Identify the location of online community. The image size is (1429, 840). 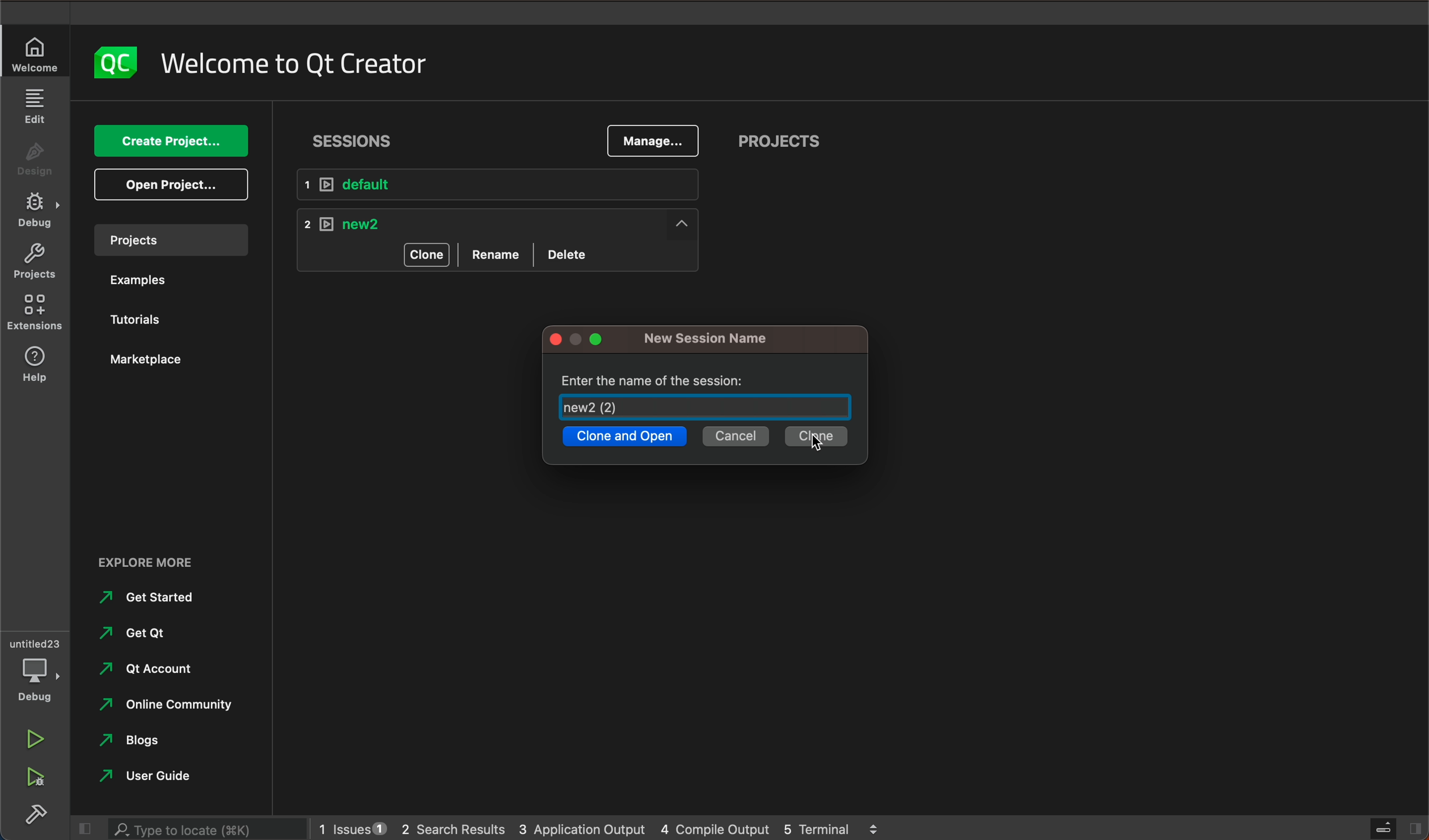
(178, 705).